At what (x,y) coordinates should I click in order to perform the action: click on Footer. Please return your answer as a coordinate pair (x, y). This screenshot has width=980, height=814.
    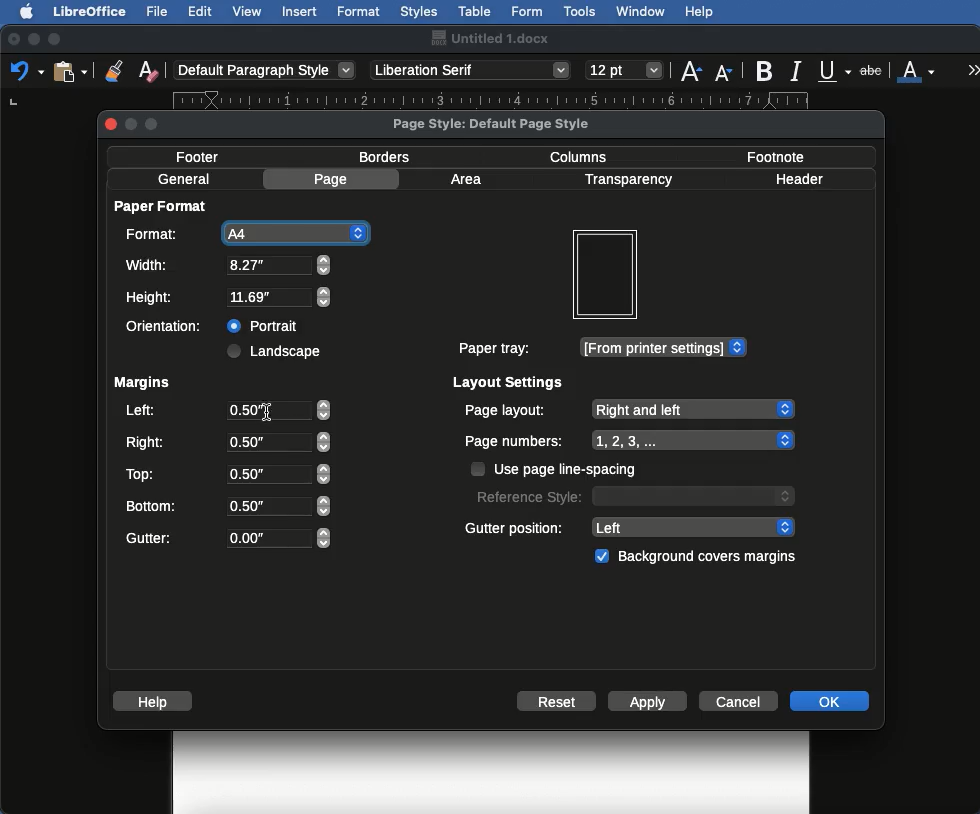
    Looking at the image, I should click on (204, 156).